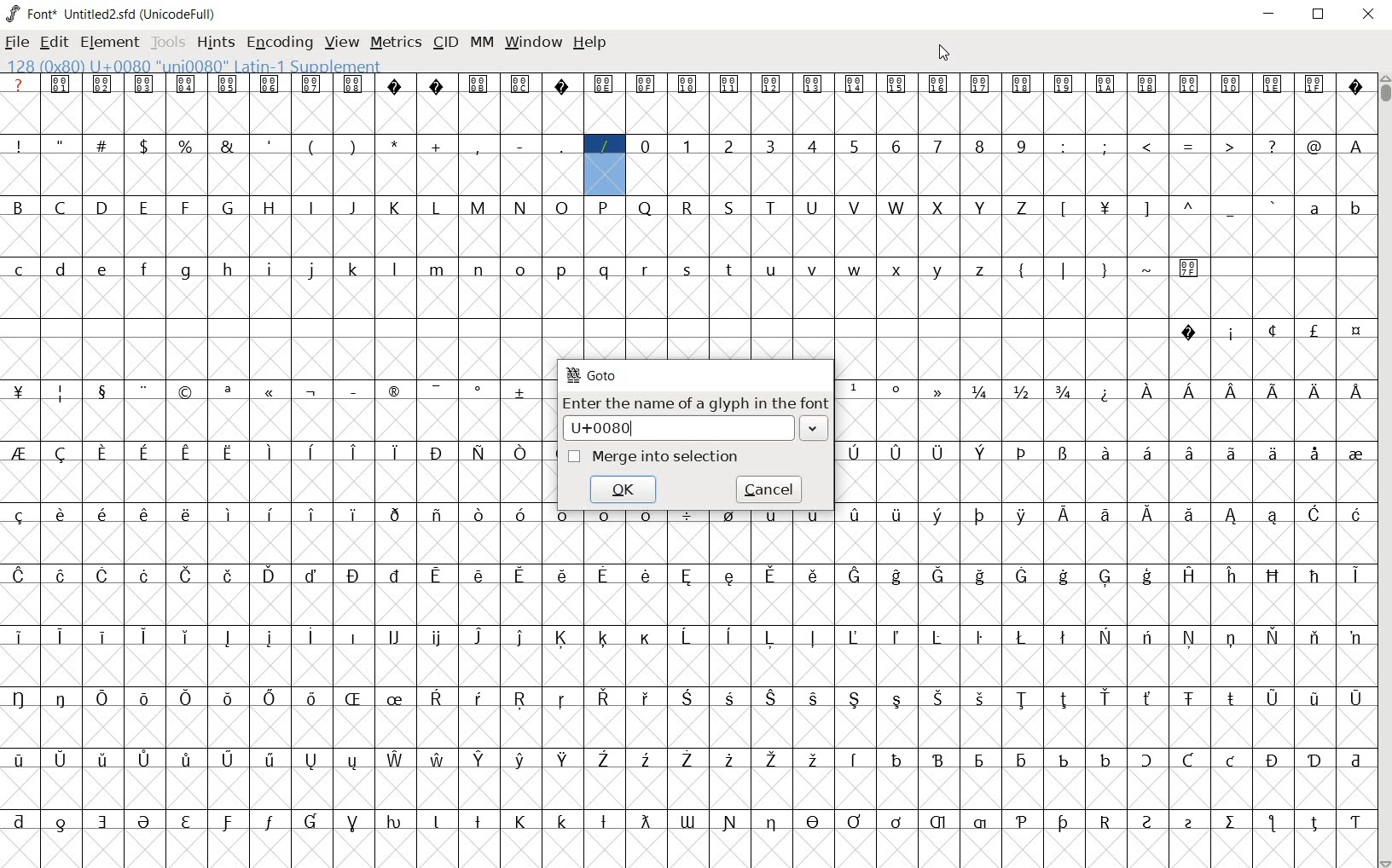 This screenshot has width=1392, height=868. What do you see at coordinates (1145, 210) in the screenshot?
I see `glyph` at bounding box center [1145, 210].